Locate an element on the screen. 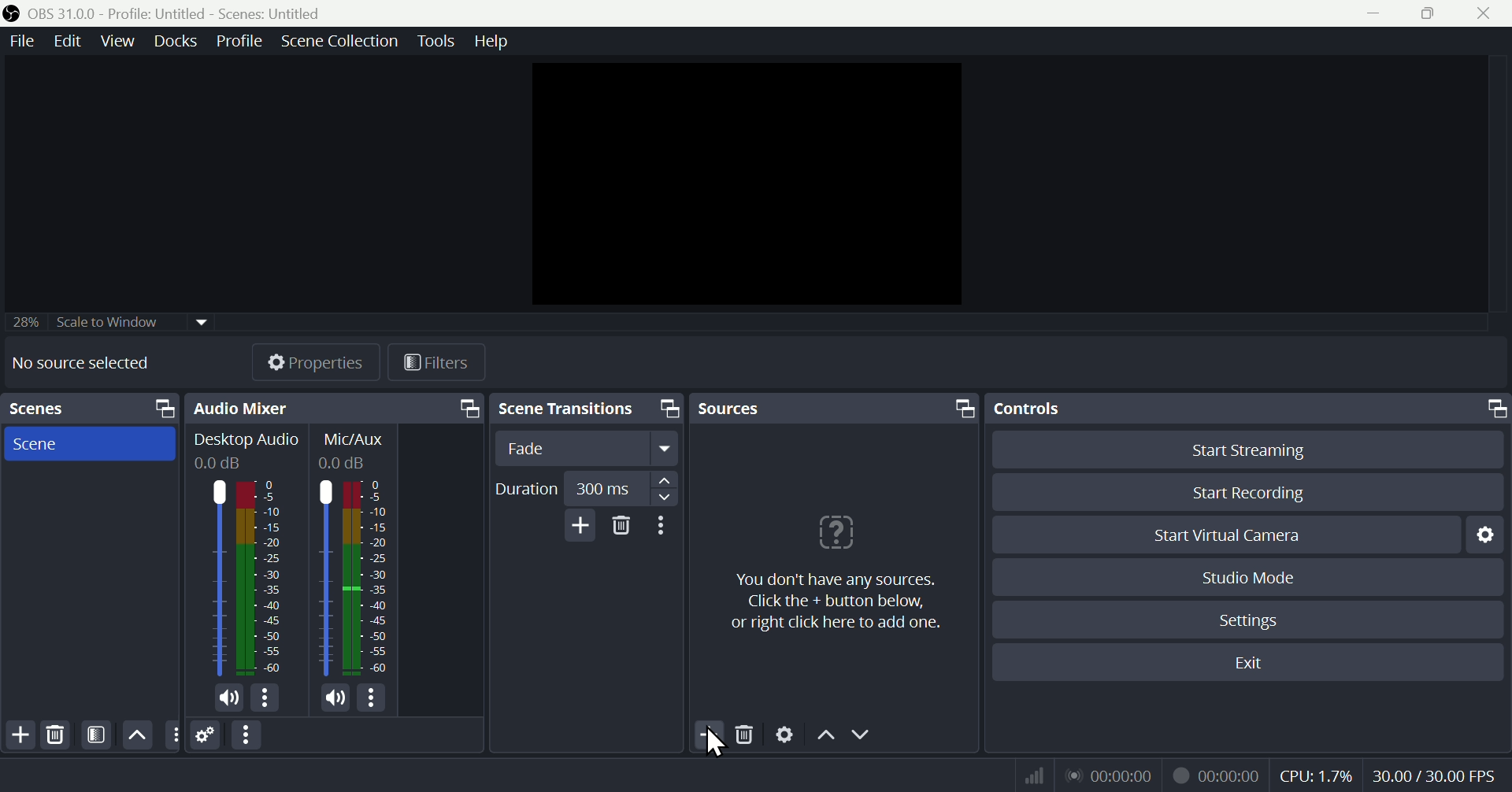 Image resolution: width=1512 pixels, height=792 pixels. Controls is located at coordinates (1251, 409).